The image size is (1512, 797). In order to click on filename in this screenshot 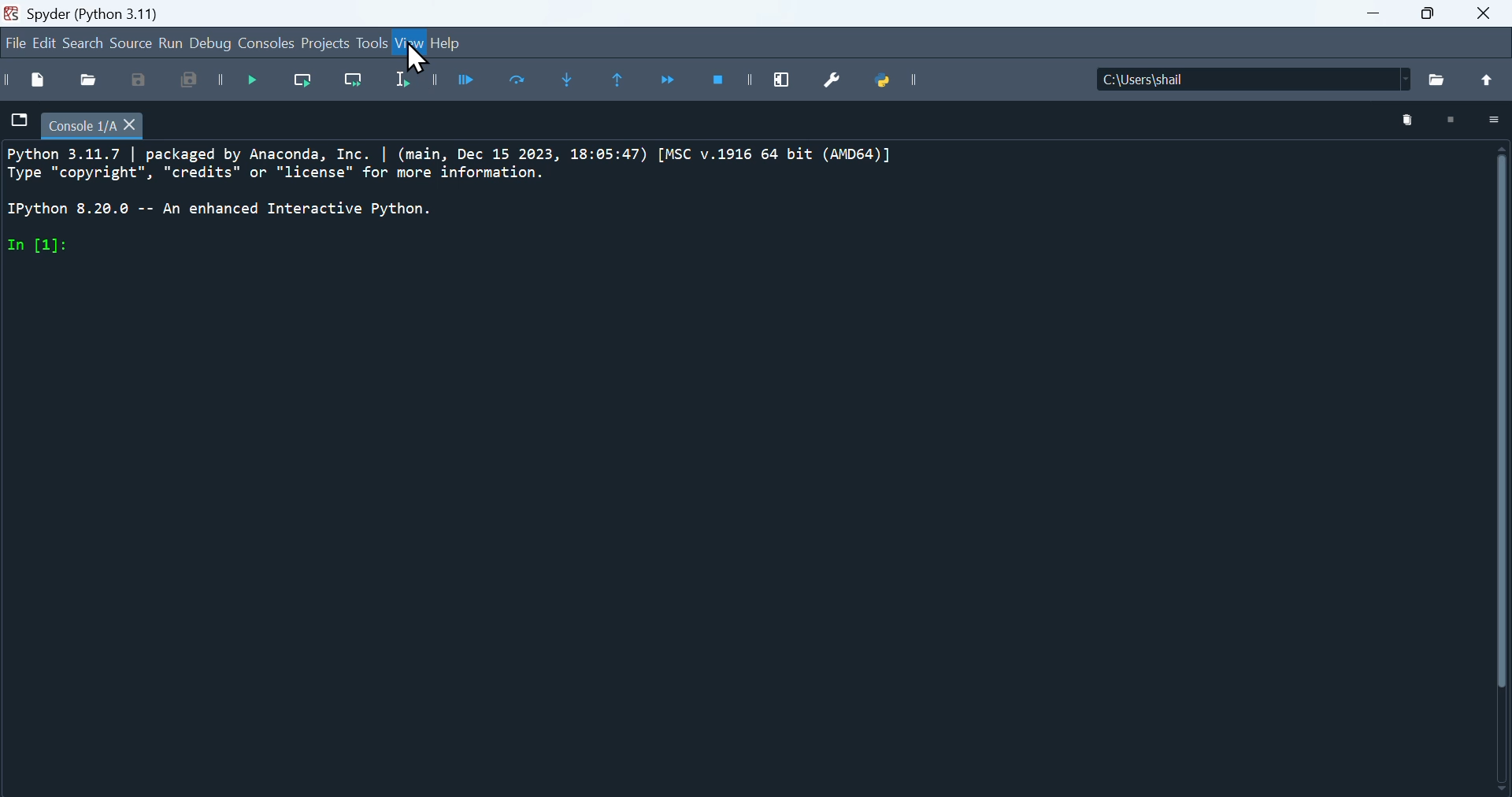, I will do `click(101, 124)`.